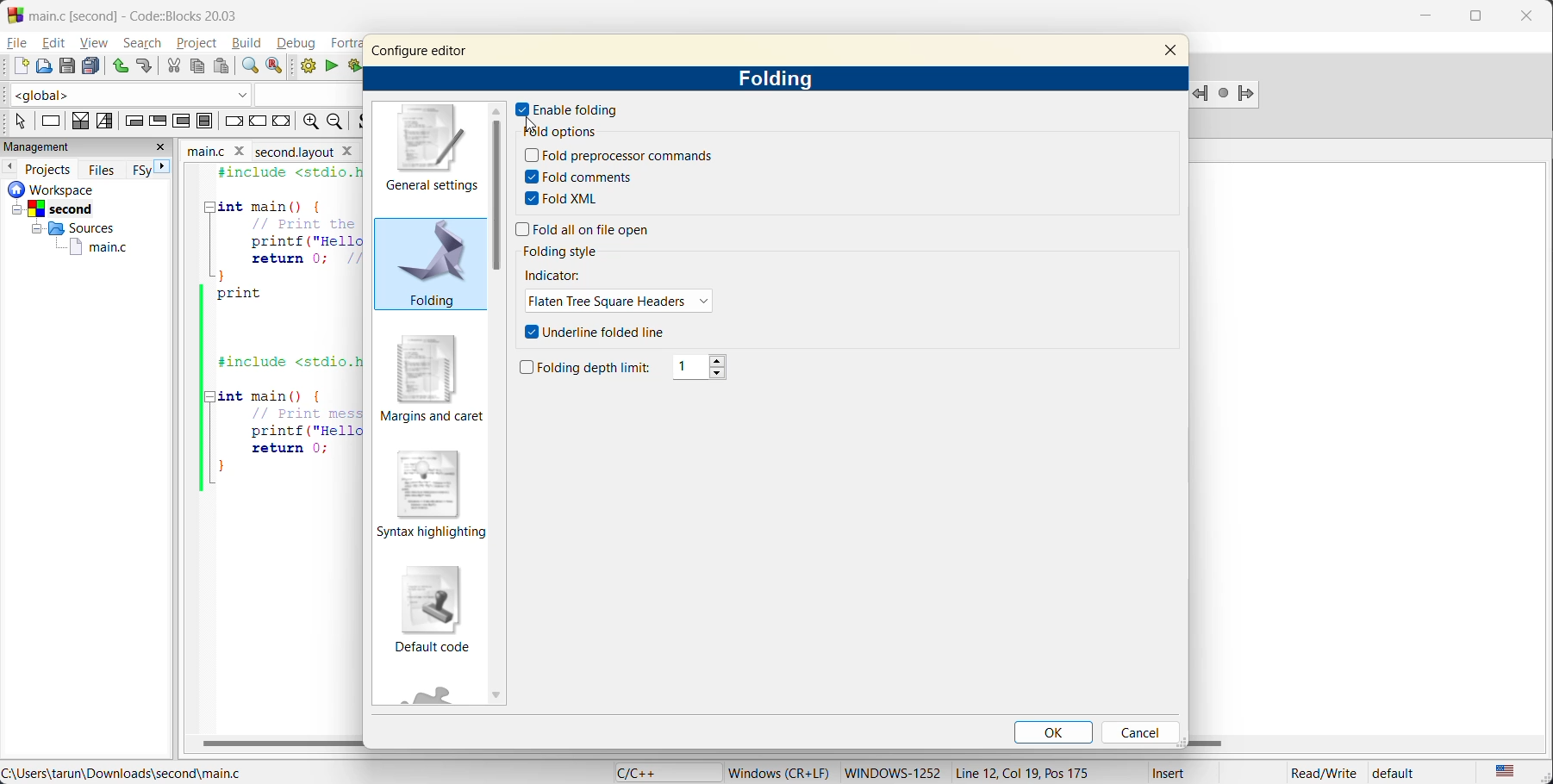 The image size is (1553, 784). What do you see at coordinates (433, 607) in the screenshot?
I see `default code` at bounding box center [433, 607].